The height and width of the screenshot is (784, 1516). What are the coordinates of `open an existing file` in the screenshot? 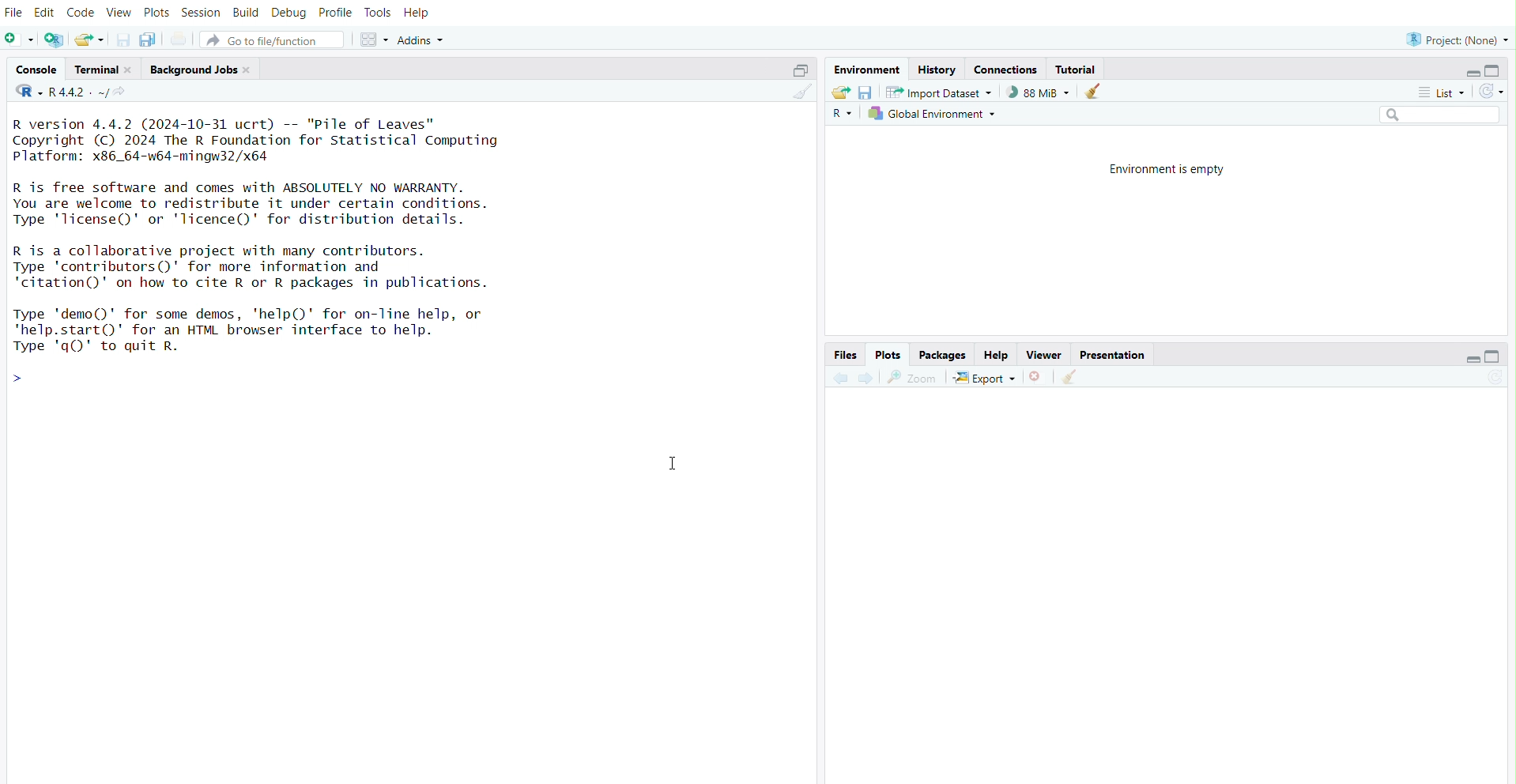 It's located at (88, 39).